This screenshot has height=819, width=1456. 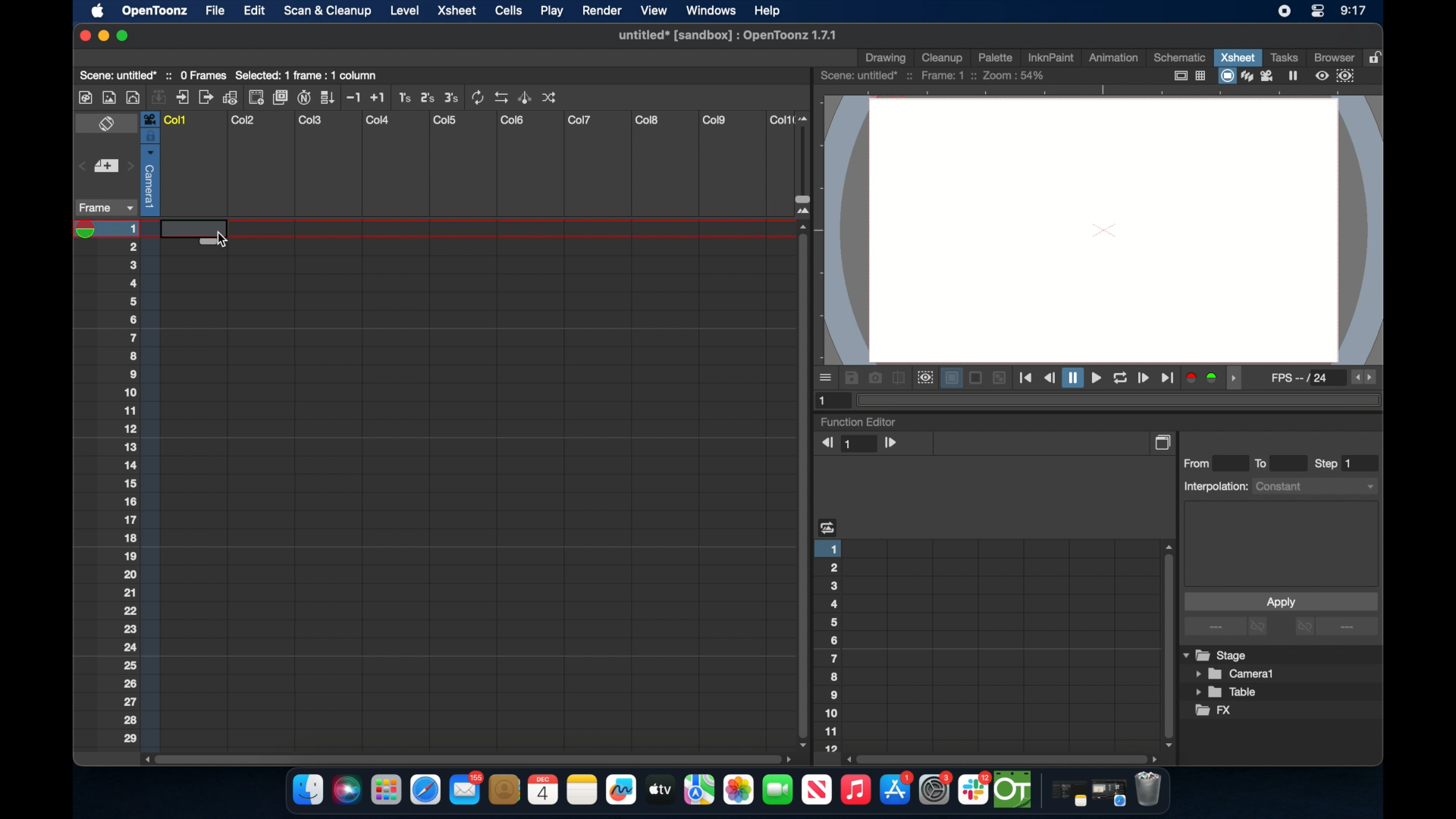 What do you see at coordinates (1227, 693) in the screenshot?
I see `table` at bounding box center [1227, 693].